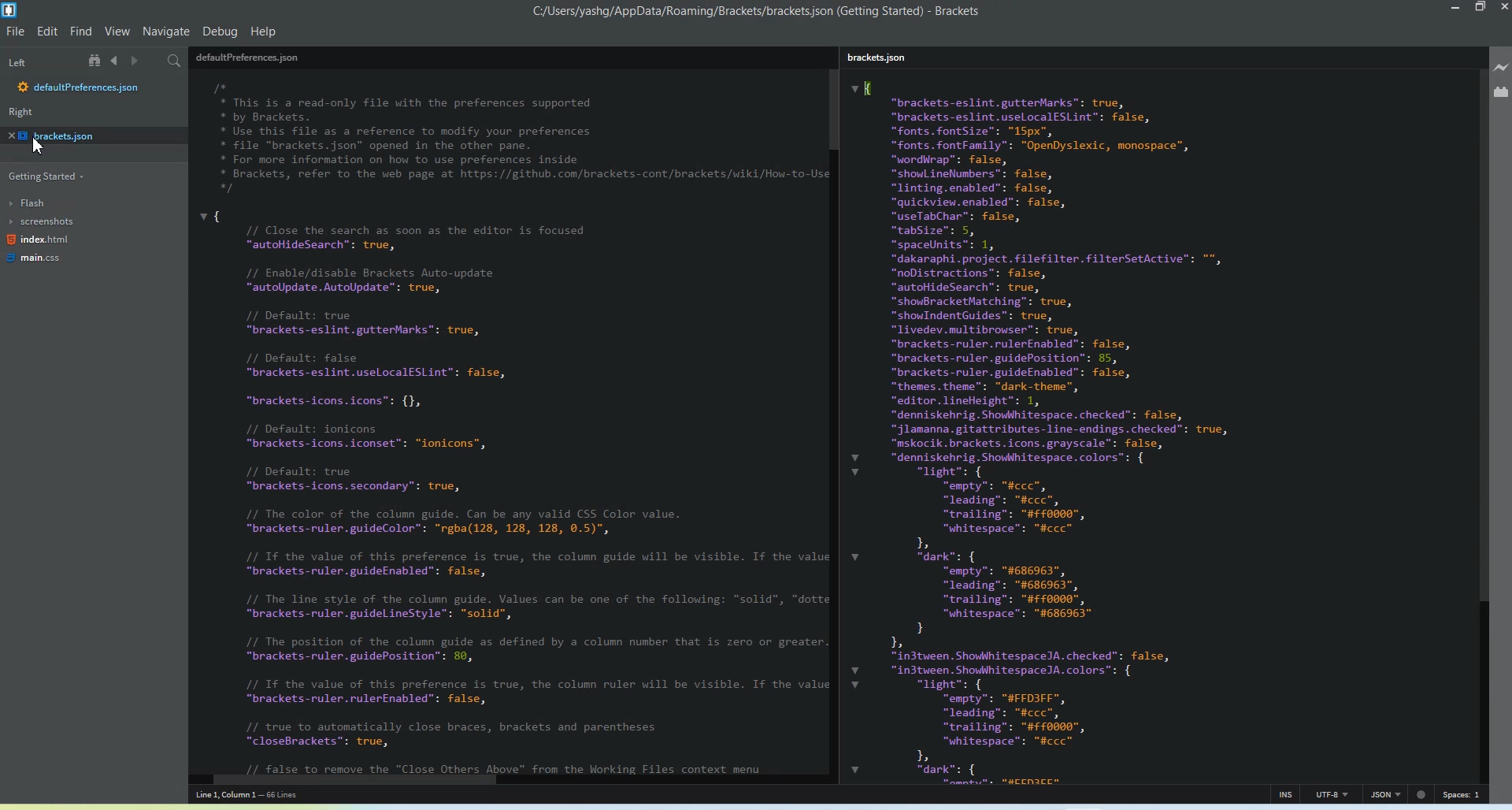 This screenshot has width=1512, height=810. Describe the element at coordinates (1458, 8) in the screenshot. I see `Minimize` at that location.